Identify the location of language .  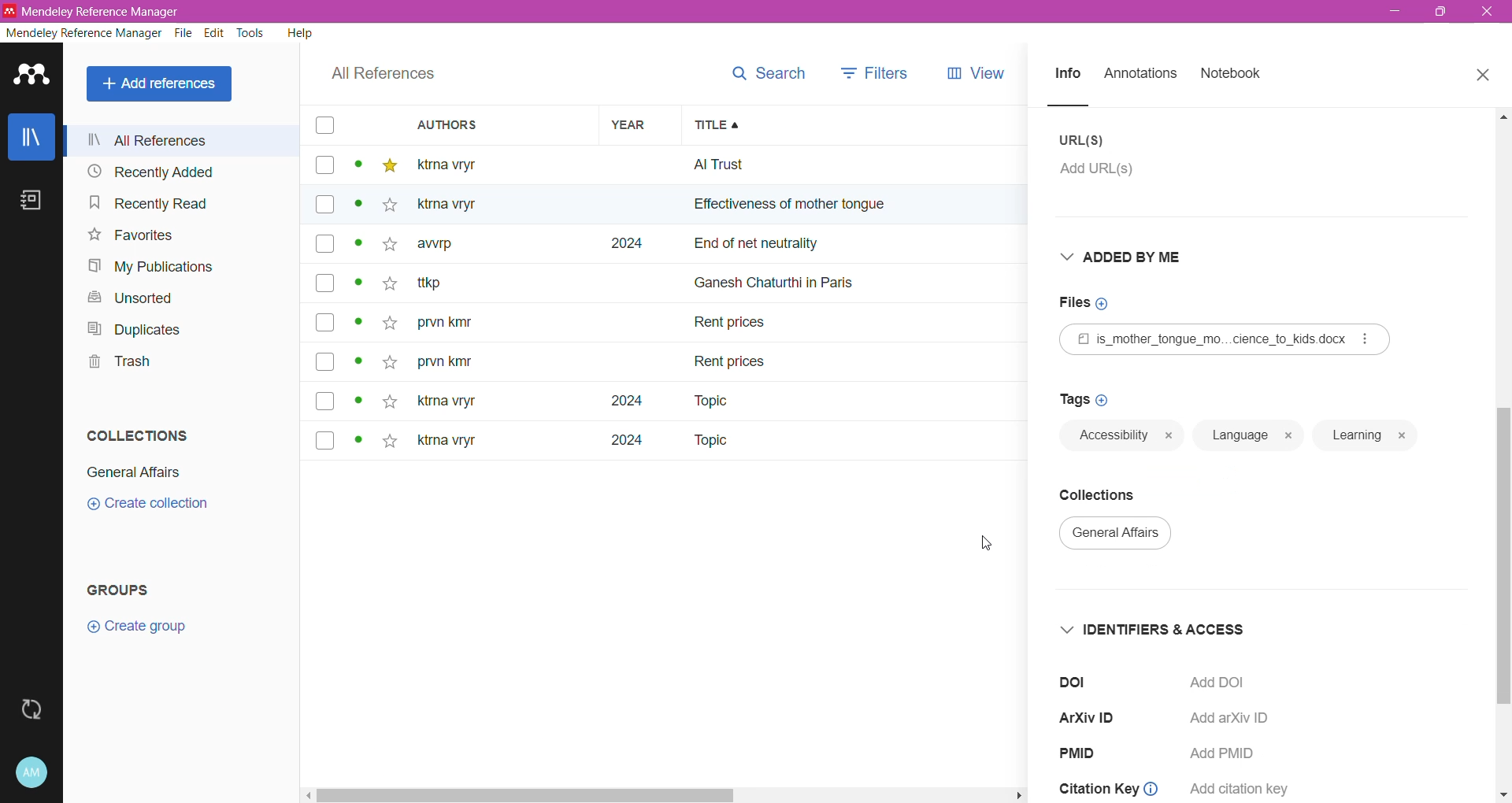
(1234, 433).